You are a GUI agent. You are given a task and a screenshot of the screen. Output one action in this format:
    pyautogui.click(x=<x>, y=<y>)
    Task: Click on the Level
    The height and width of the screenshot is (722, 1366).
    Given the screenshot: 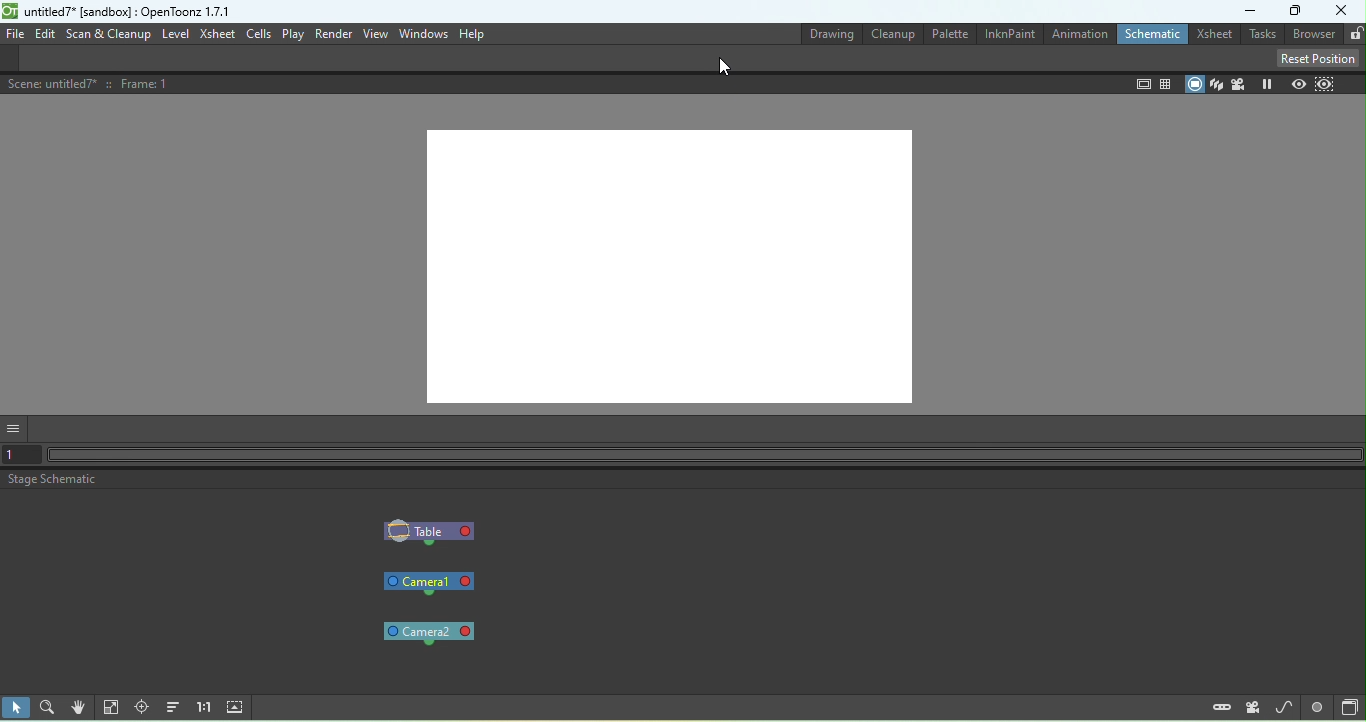 What is the action you would take?
    pyautogui.click(x=177, y=33)
    